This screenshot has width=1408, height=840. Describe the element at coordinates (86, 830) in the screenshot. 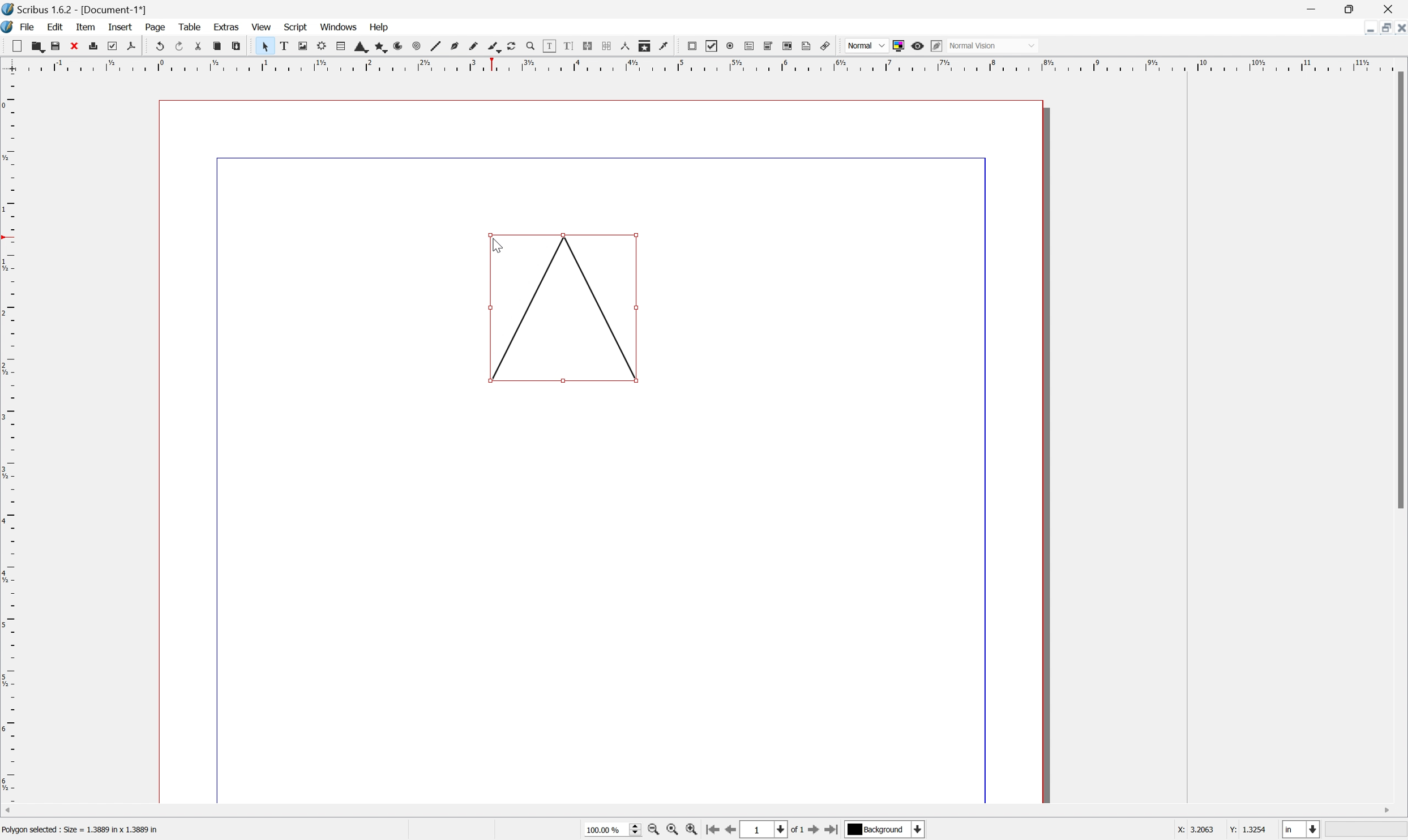

I see `Text` at that location.